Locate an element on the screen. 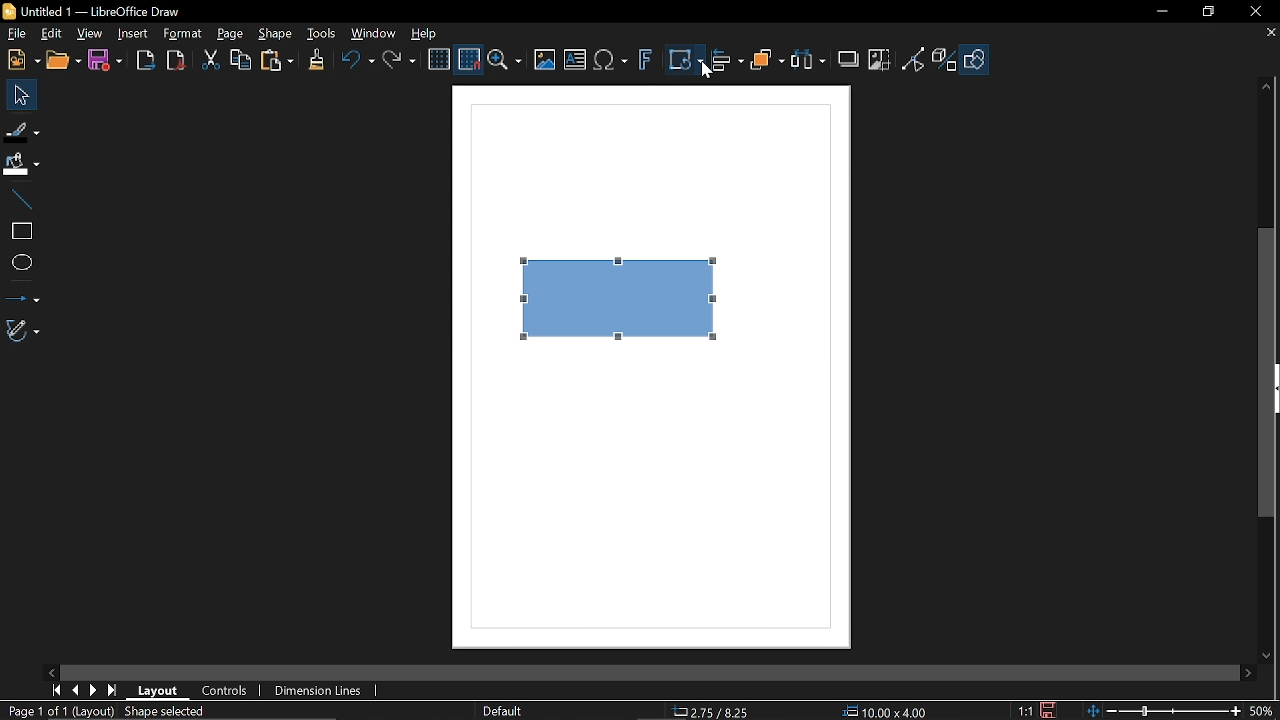 The height and width of the screenshot is (720, 1280). New is located at coordinates (22, 60).